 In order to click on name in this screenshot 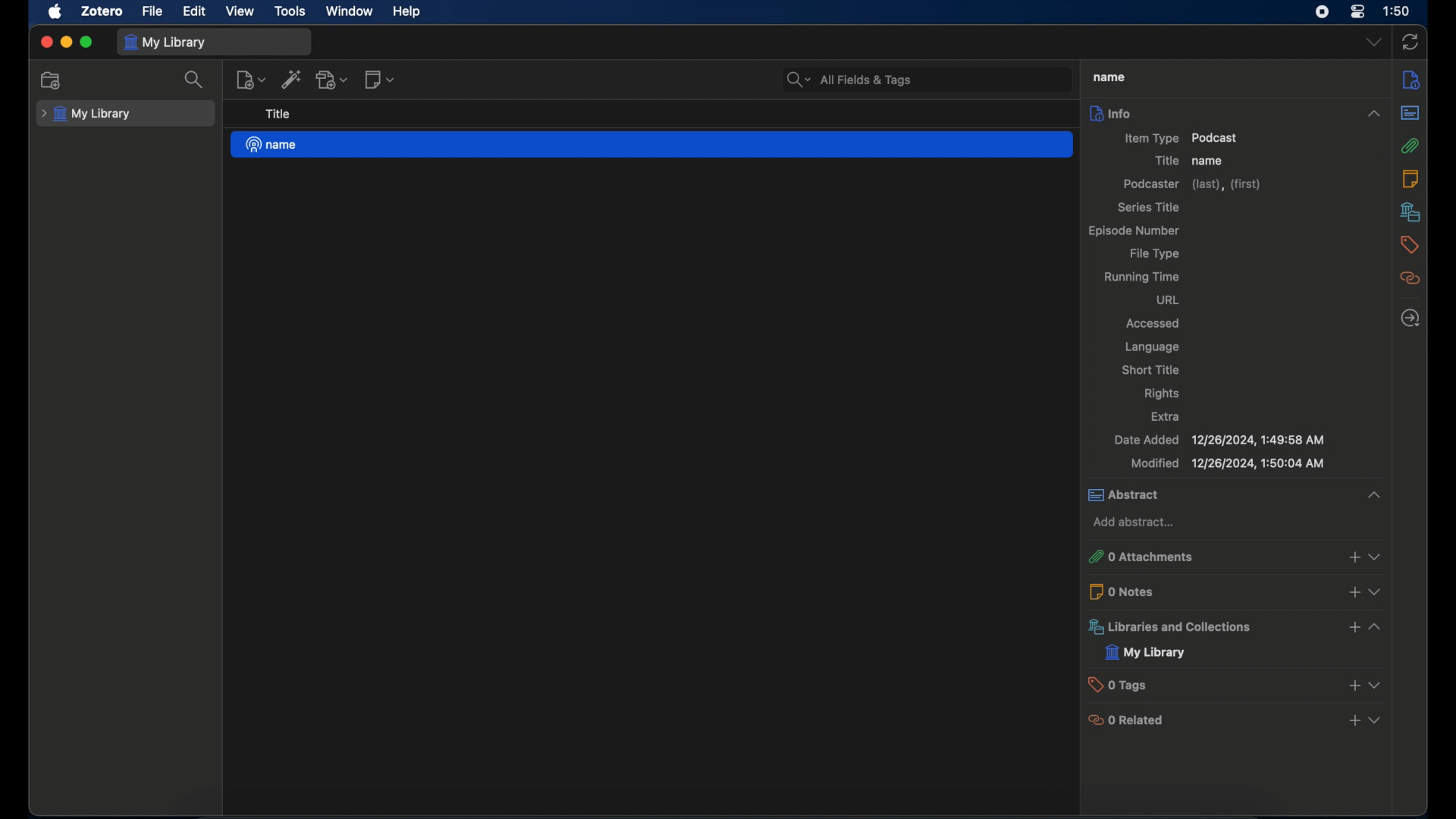, I will do `click(1210, 162)`.